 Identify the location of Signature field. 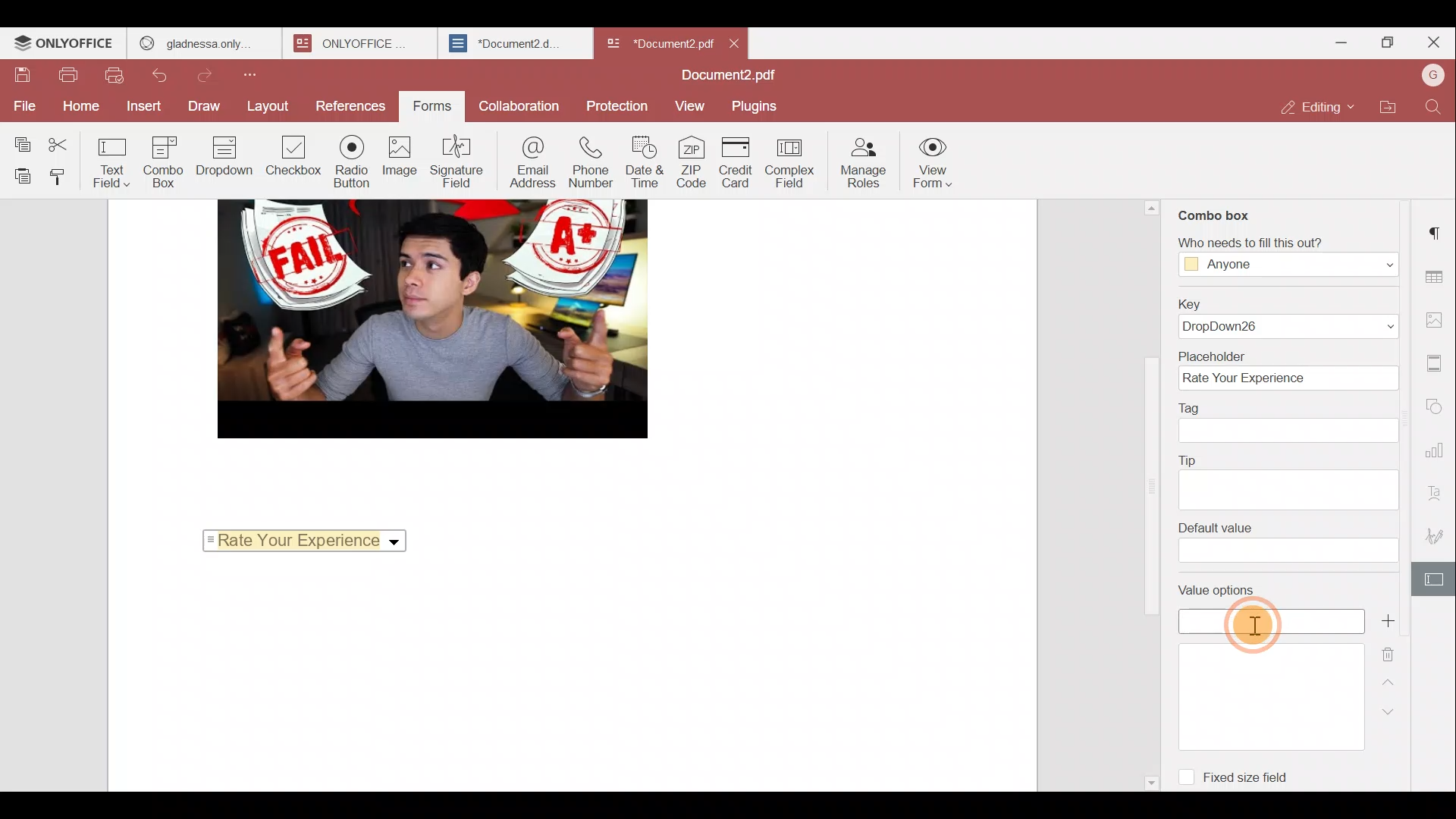
(457, 161).